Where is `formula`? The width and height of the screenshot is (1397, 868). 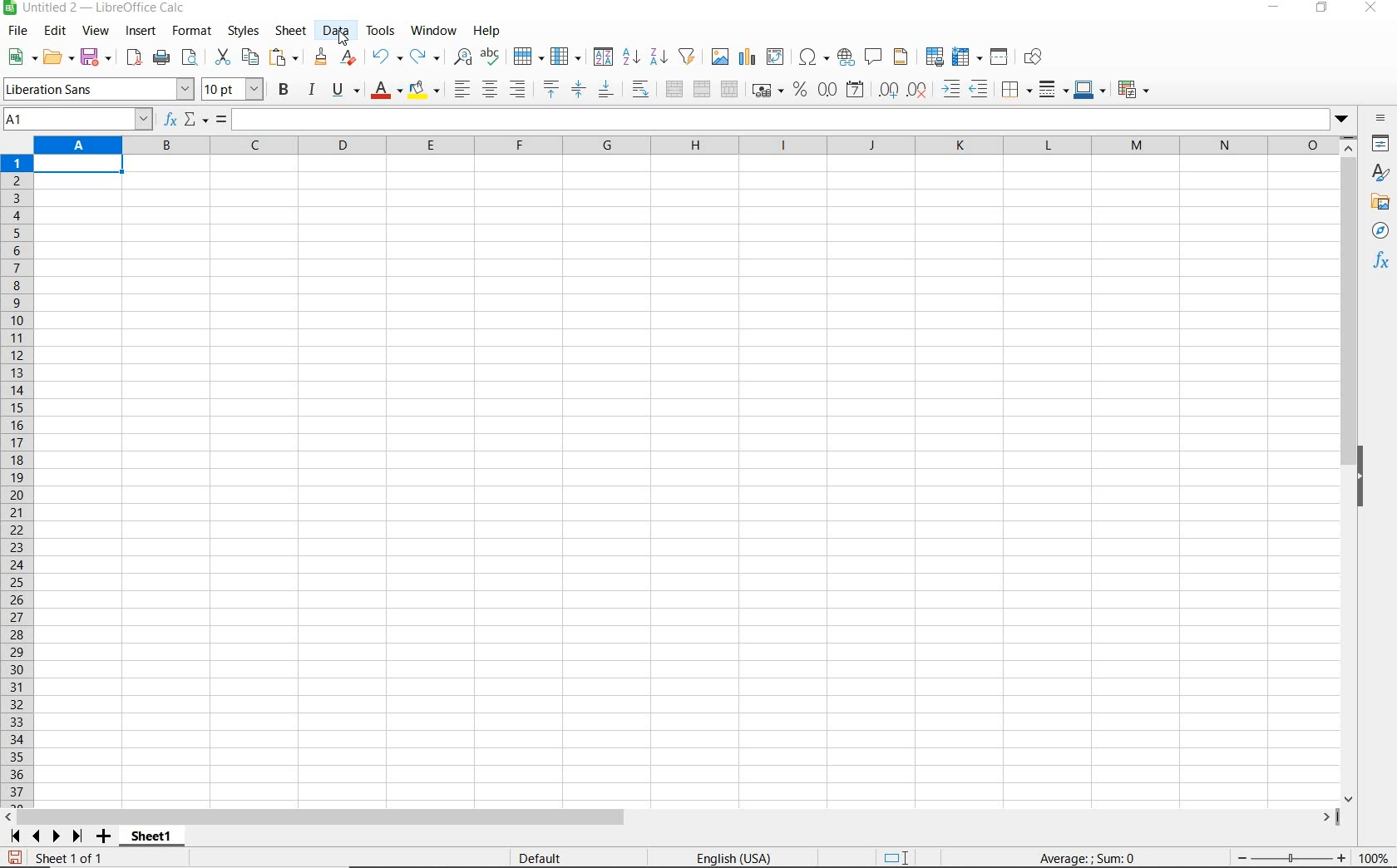 formula is located at coordinates (221, 121).